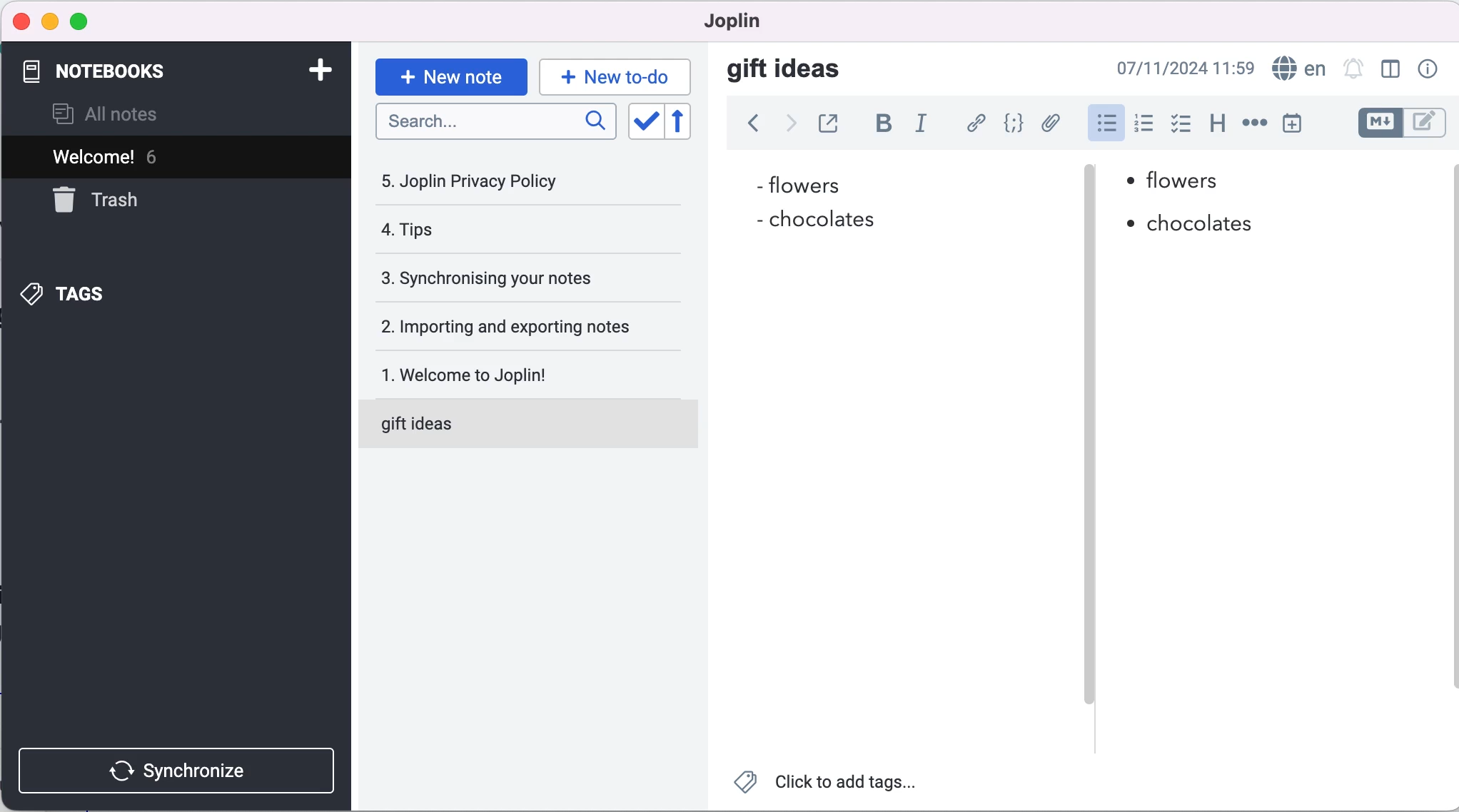  What do you see at coordinates (787, 126) in the screenshot?
I see `forward` at bounding box center [787, 126].